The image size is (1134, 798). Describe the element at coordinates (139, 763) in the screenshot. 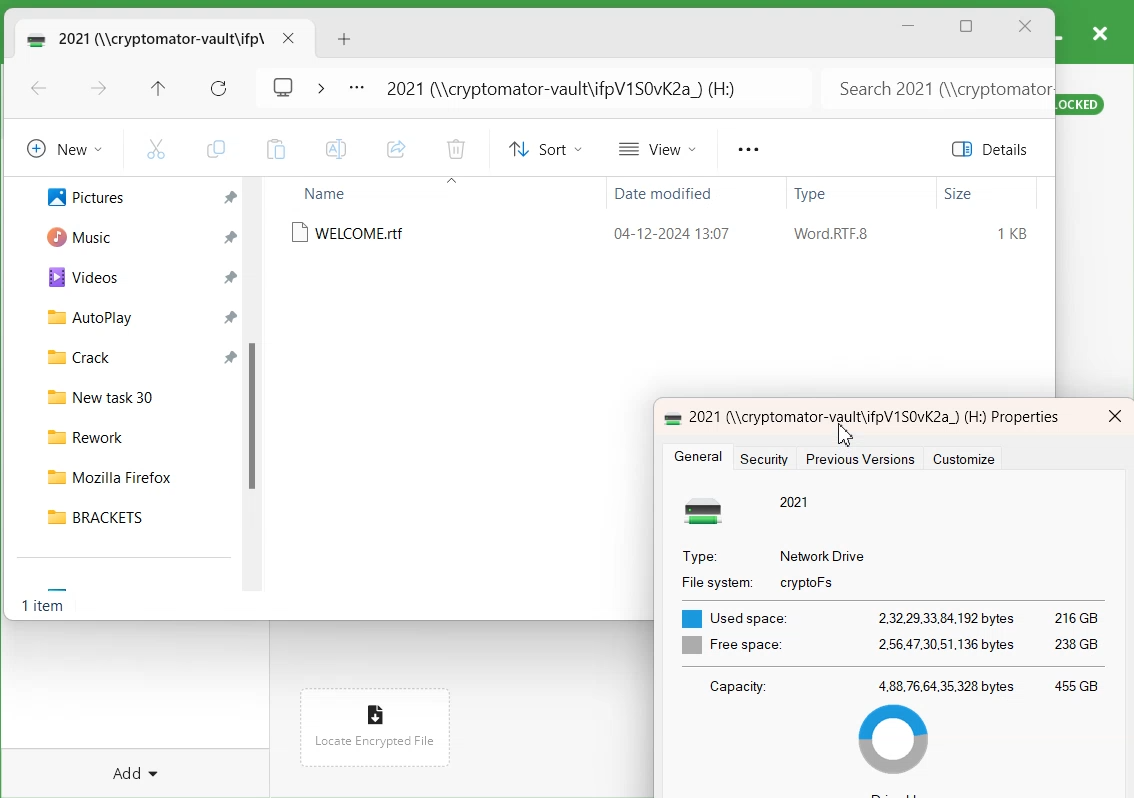

I see `Add` at that location.